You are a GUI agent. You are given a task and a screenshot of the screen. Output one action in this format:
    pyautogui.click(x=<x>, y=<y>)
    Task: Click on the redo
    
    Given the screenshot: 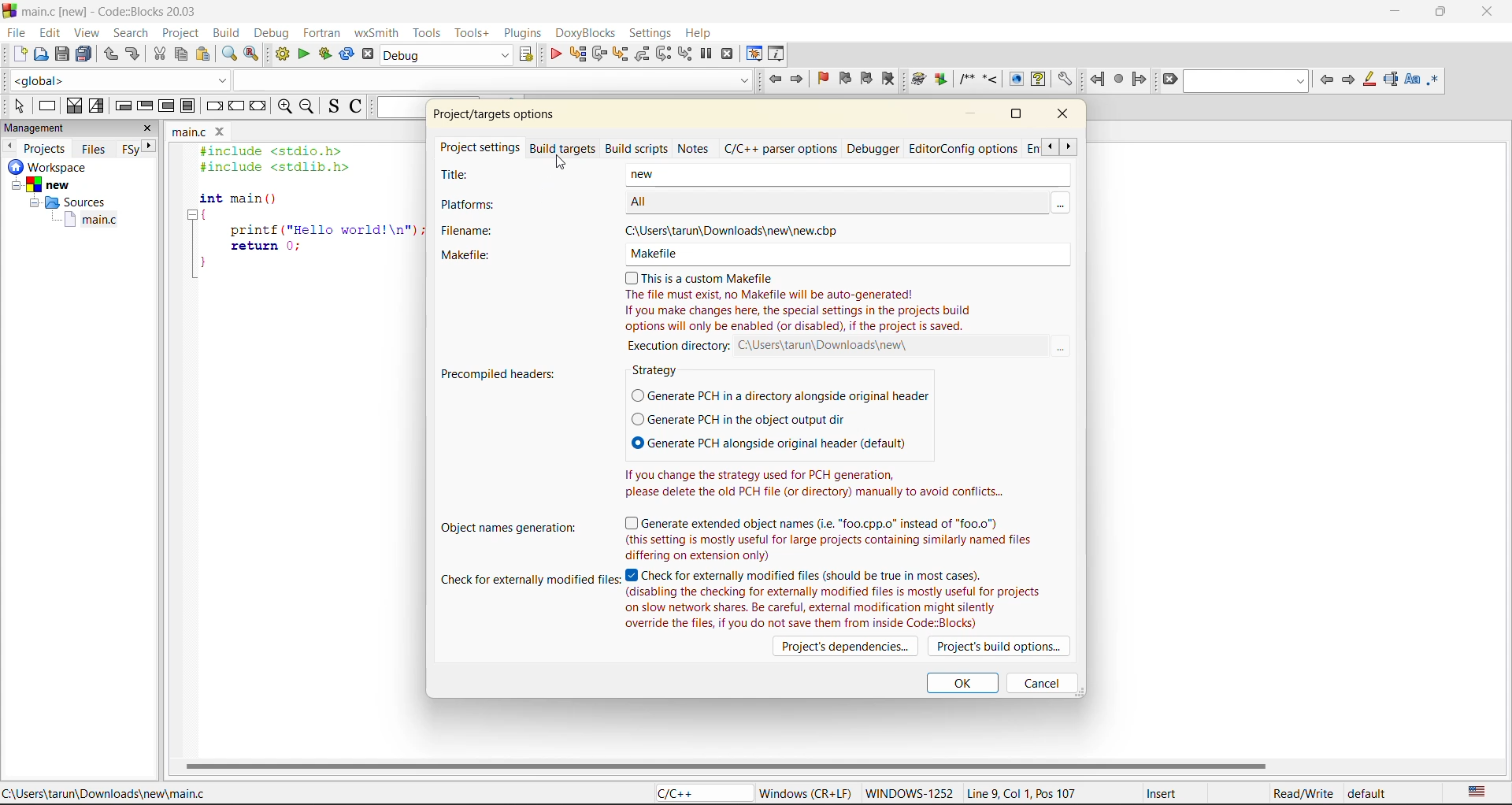 What is the action you would take?
    pyautogui.click(x=135, y=55)
    